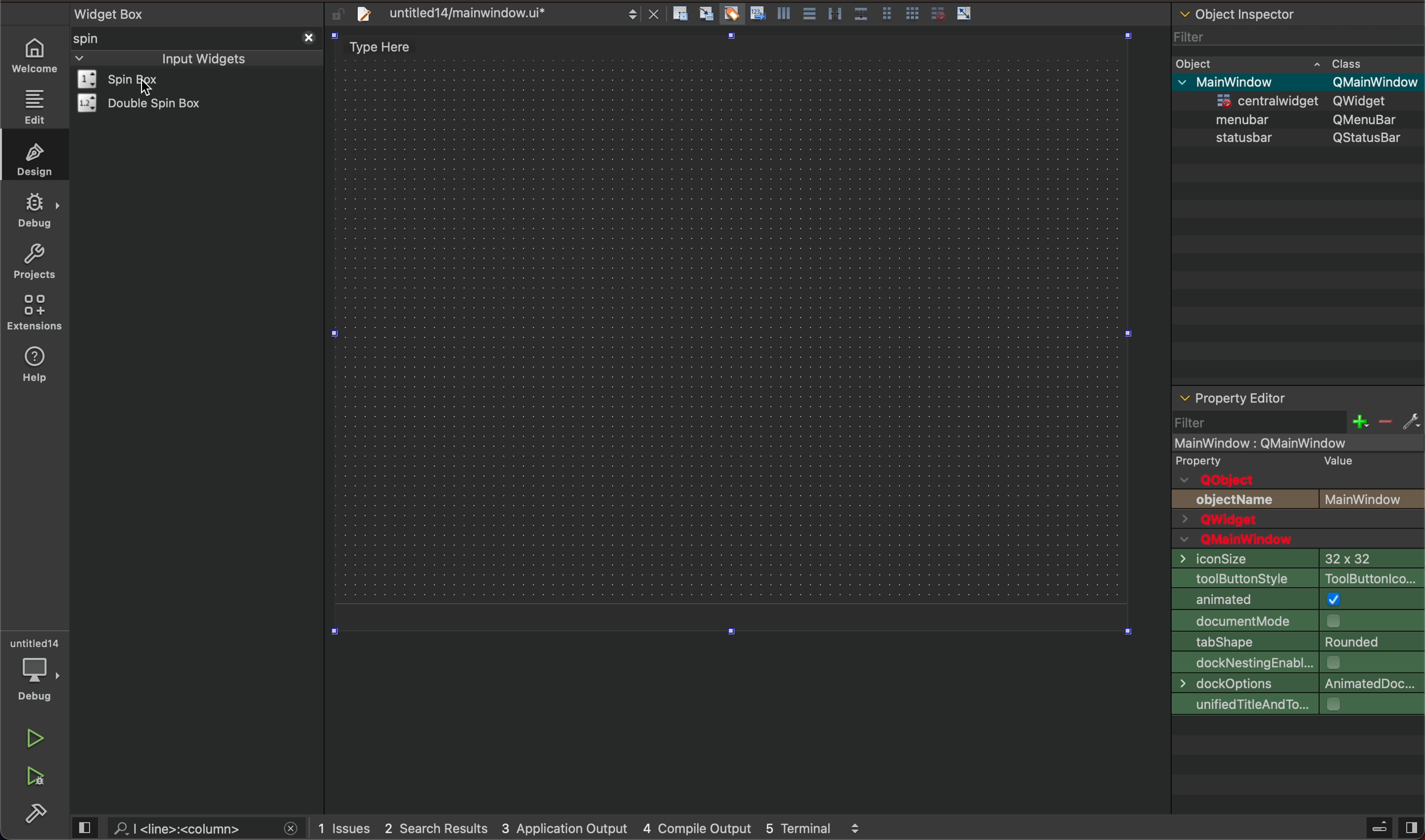 Image resolution: width=1425 pixels, height=840 pixels. What do you see at coordinates (1298, 599) in the screenshot?
I see `animated` at bounding box center [1298, 599].